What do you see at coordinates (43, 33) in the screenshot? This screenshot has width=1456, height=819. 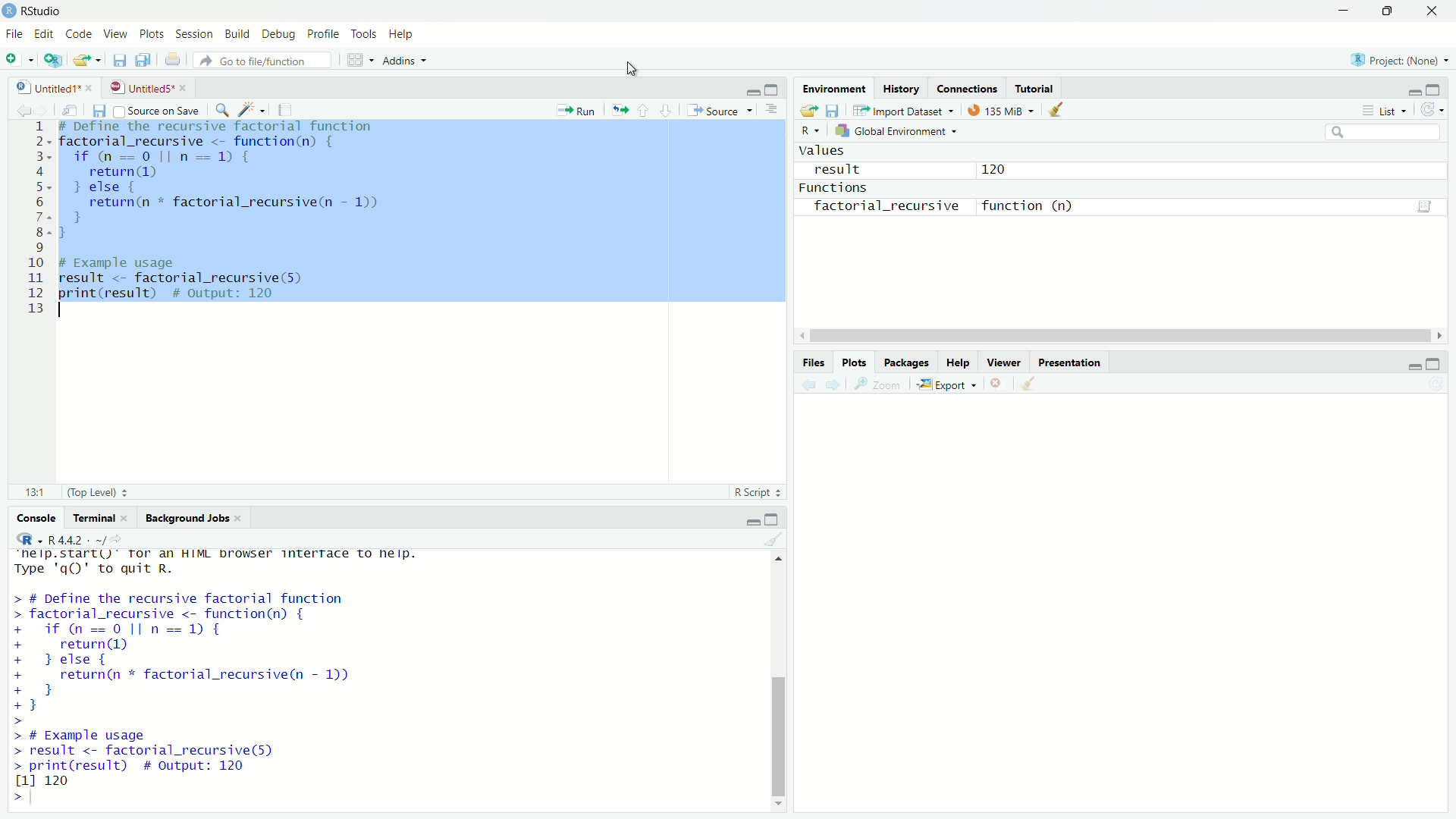 I see `Edit` at bounding box center [43, 33].